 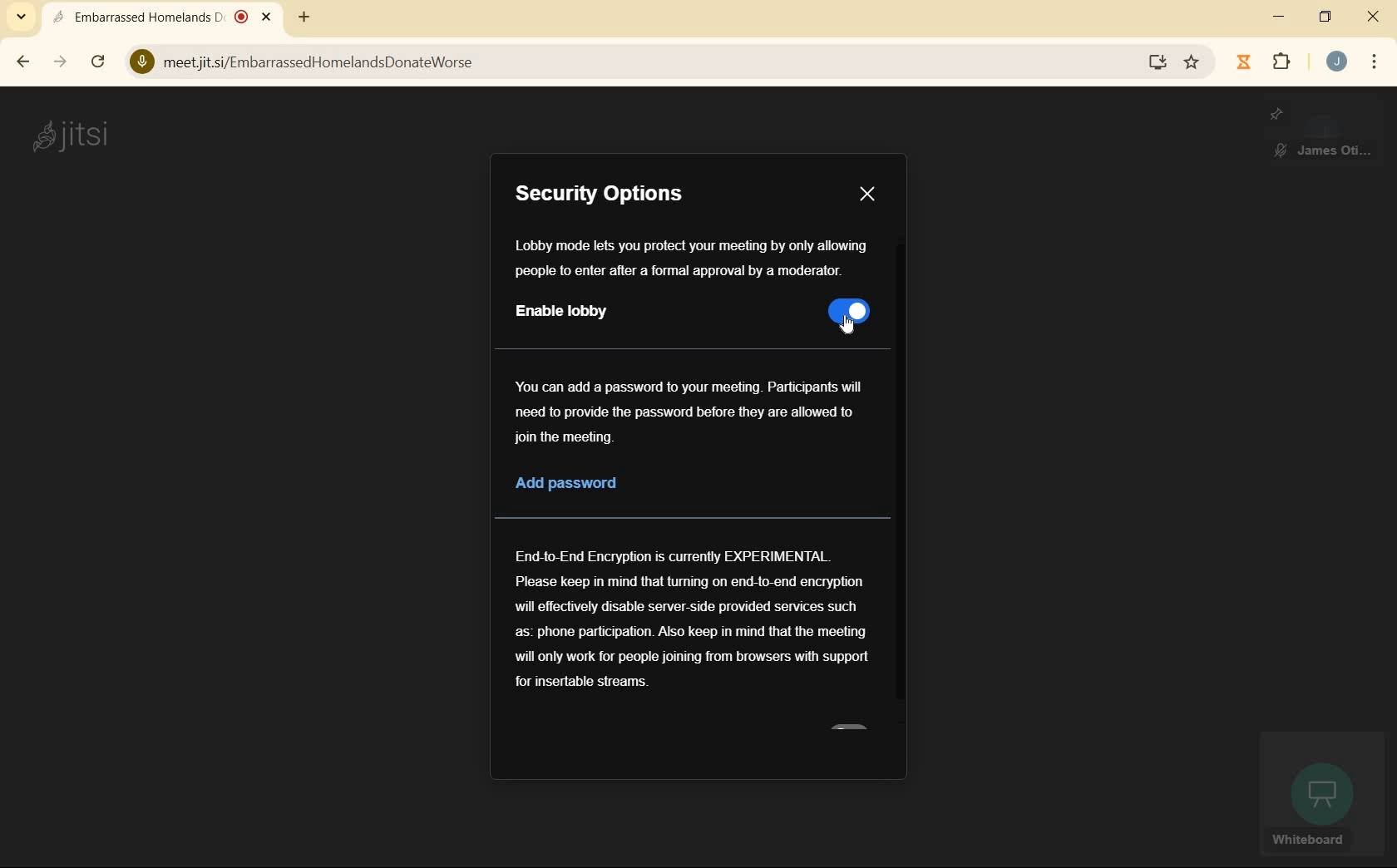 I want to click on account, so click(x=1337, y=61).